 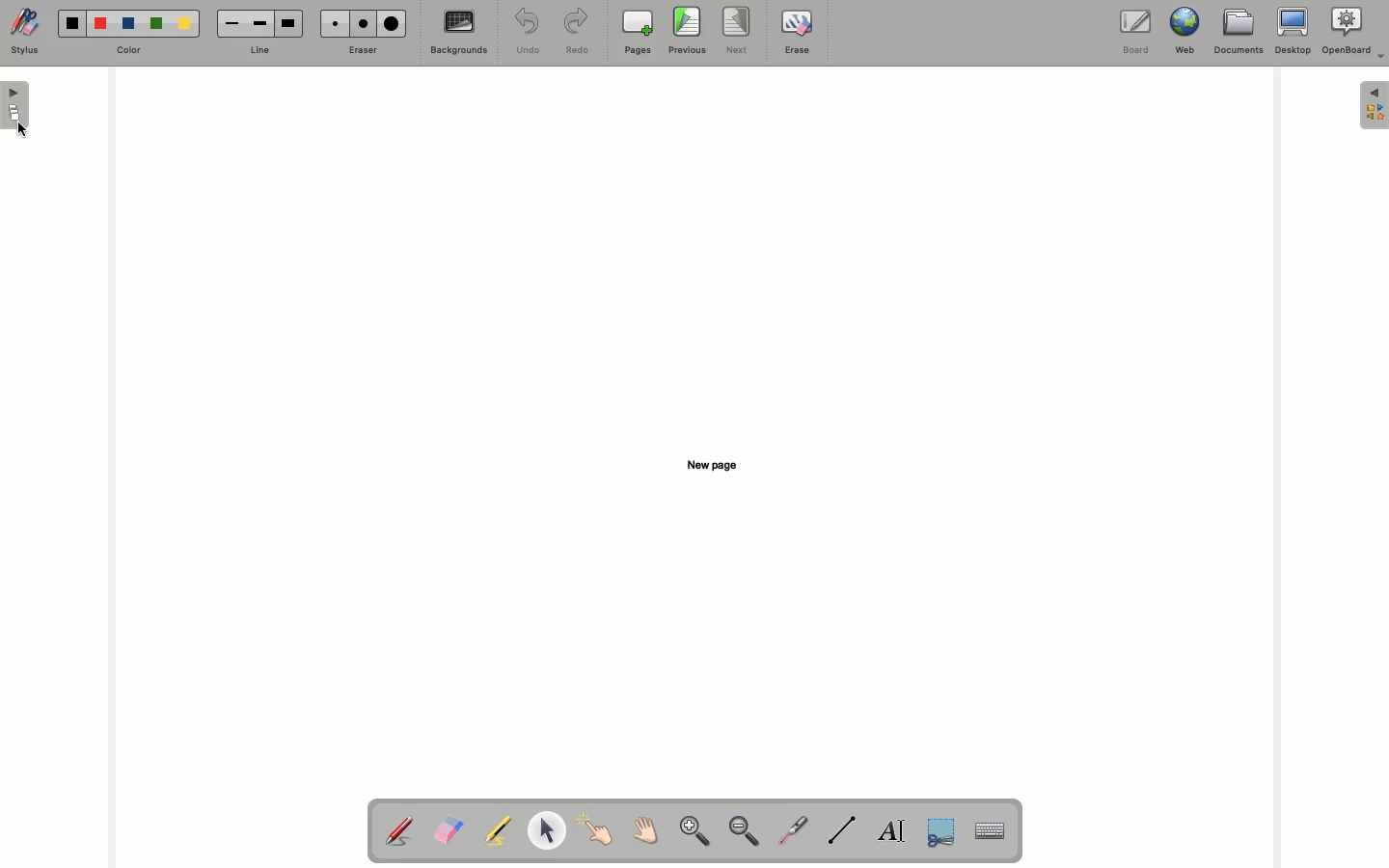 I want to click on Zoom in, so click(x=694, y=832).